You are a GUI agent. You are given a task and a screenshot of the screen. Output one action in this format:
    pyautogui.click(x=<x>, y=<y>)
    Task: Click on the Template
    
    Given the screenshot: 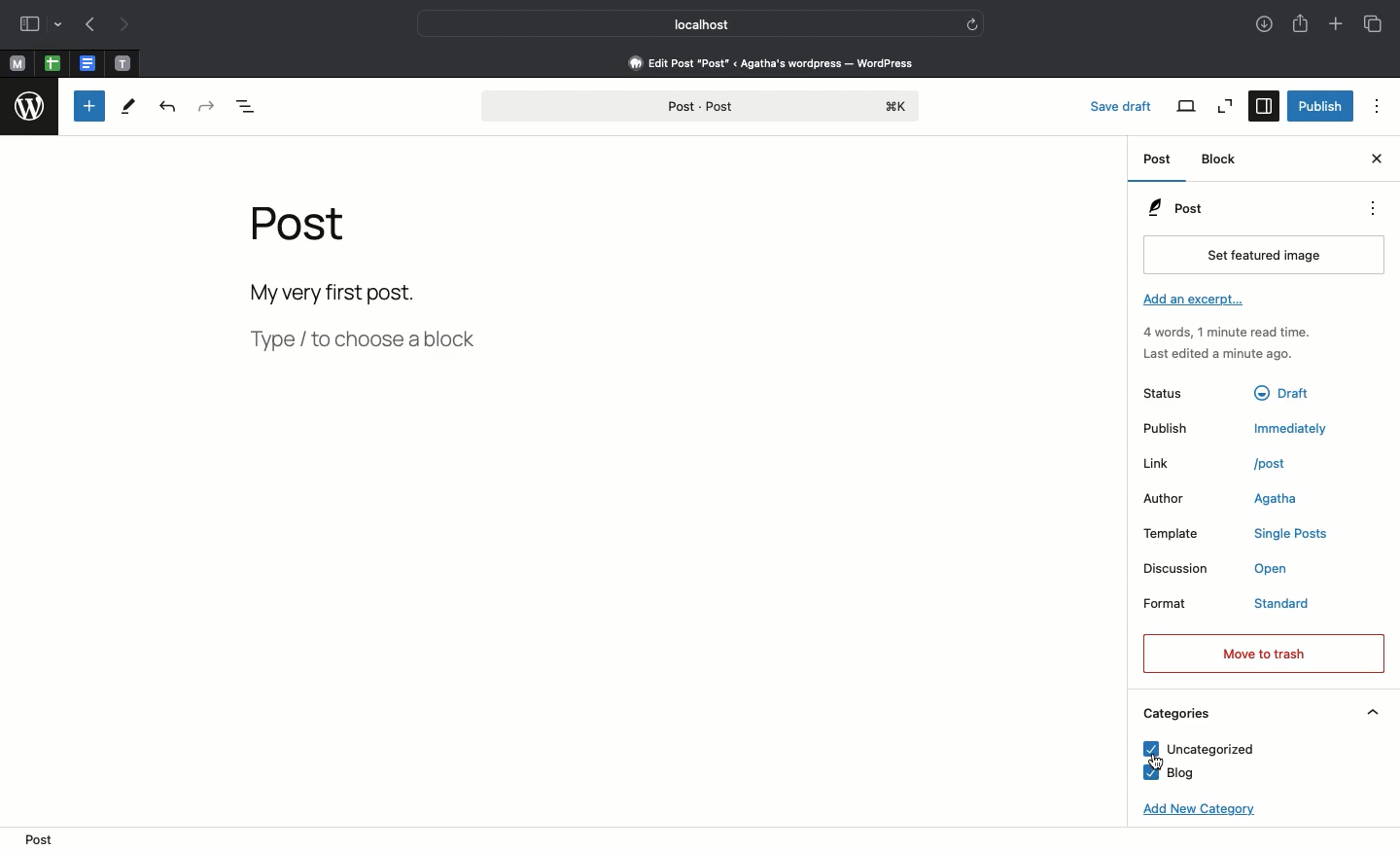 What is the action you would take?
    pyautogui.click(x=1182, y=534)
    